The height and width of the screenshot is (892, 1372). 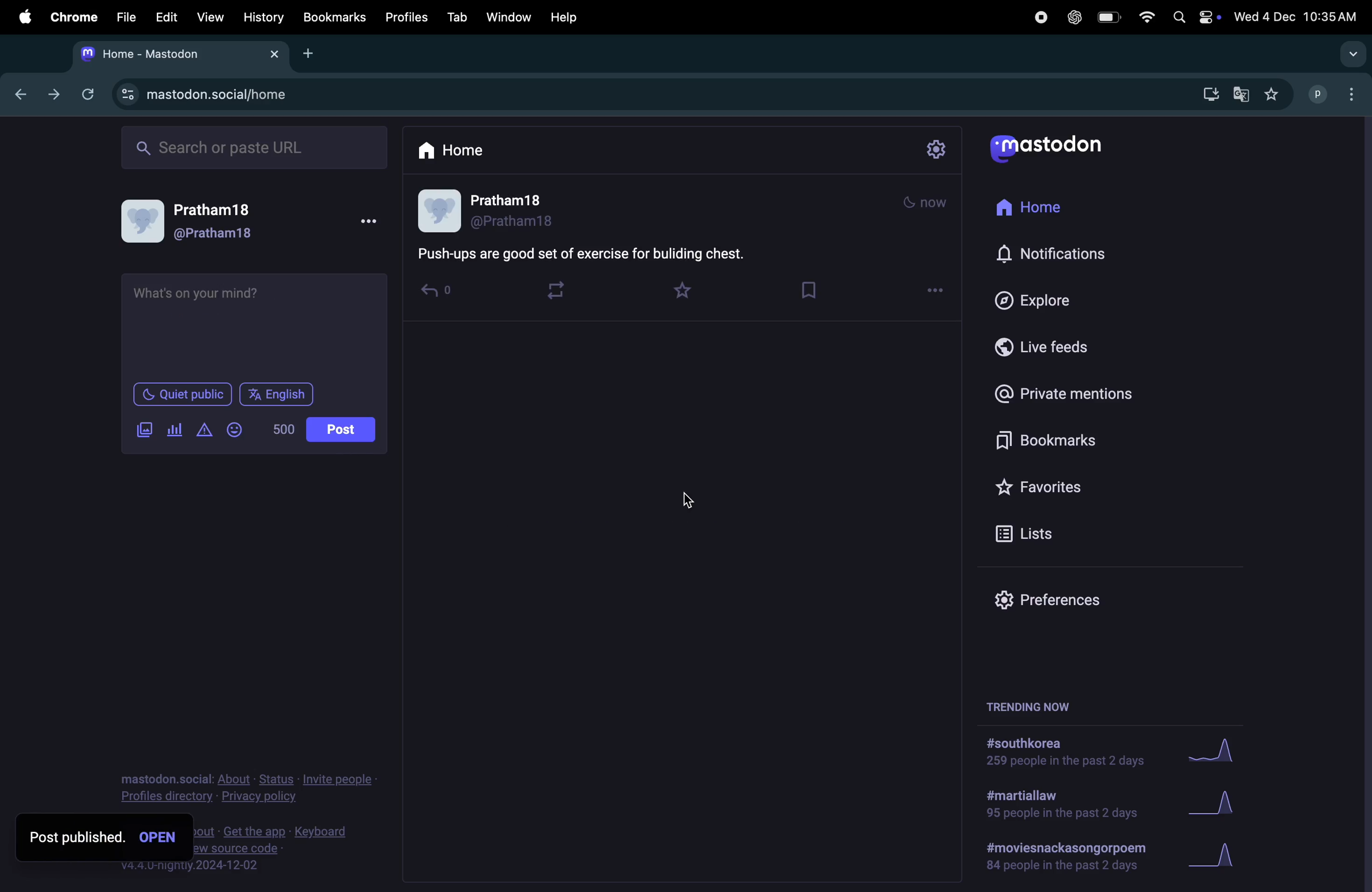 What do you see at coordinates (1043, 601) in the screenshot?
I see `prefrences` at bounding box center [1043, 601].